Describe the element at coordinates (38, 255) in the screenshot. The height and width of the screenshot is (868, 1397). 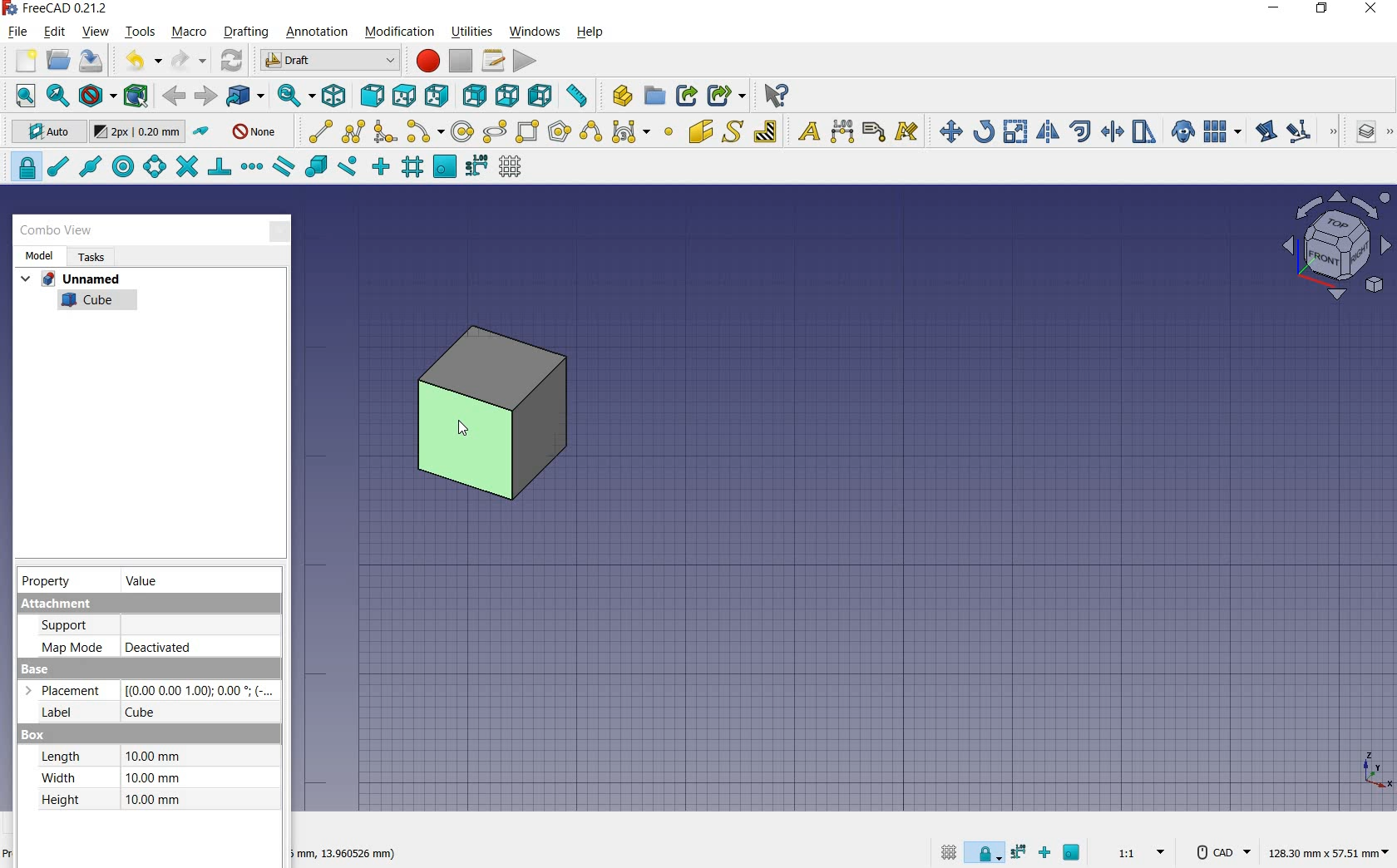
I see `model` at that location.